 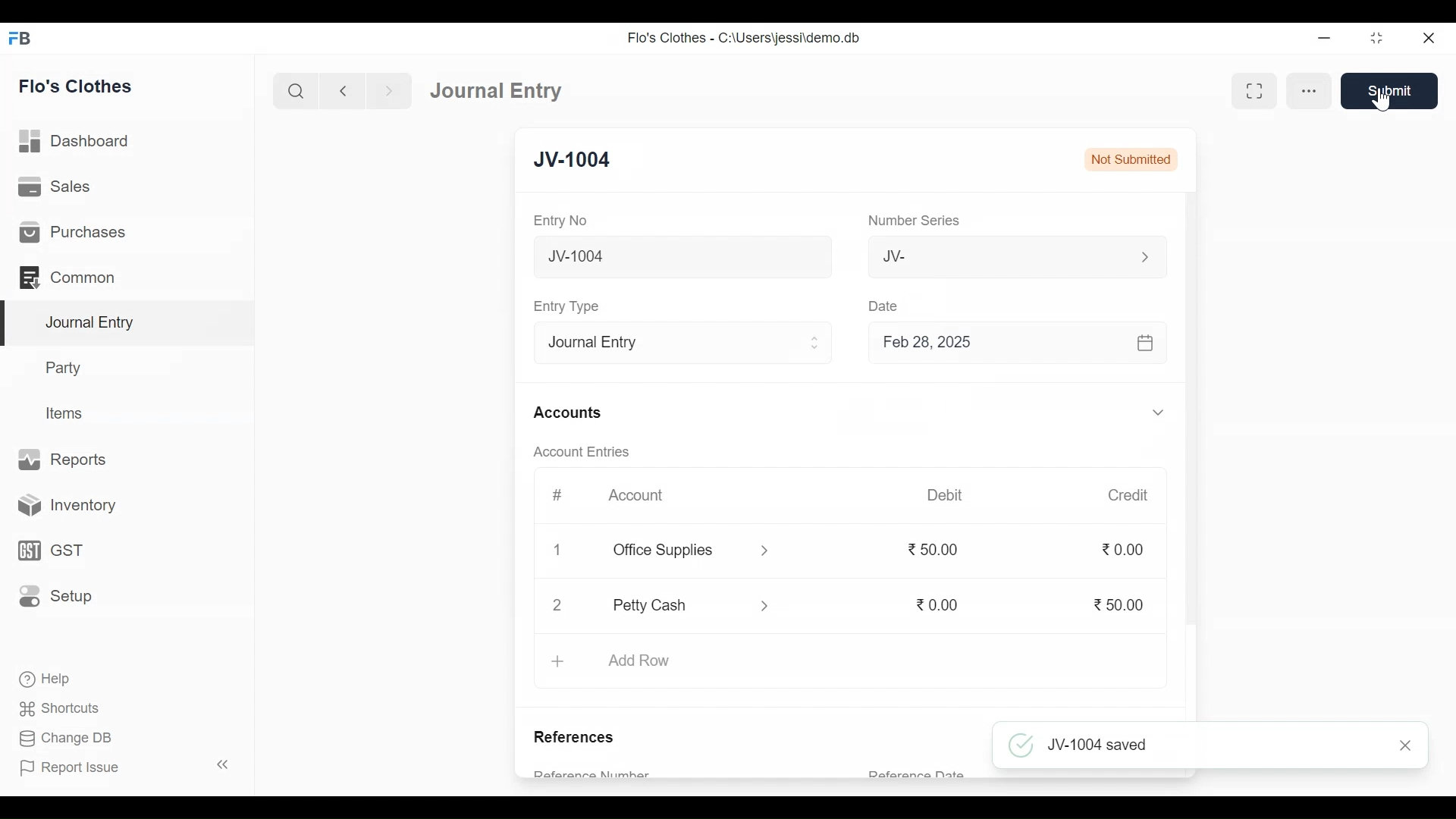 I want to click on Flo's Clothes - C:\Users\jessi\demo.db, so click(x=746, y=38).